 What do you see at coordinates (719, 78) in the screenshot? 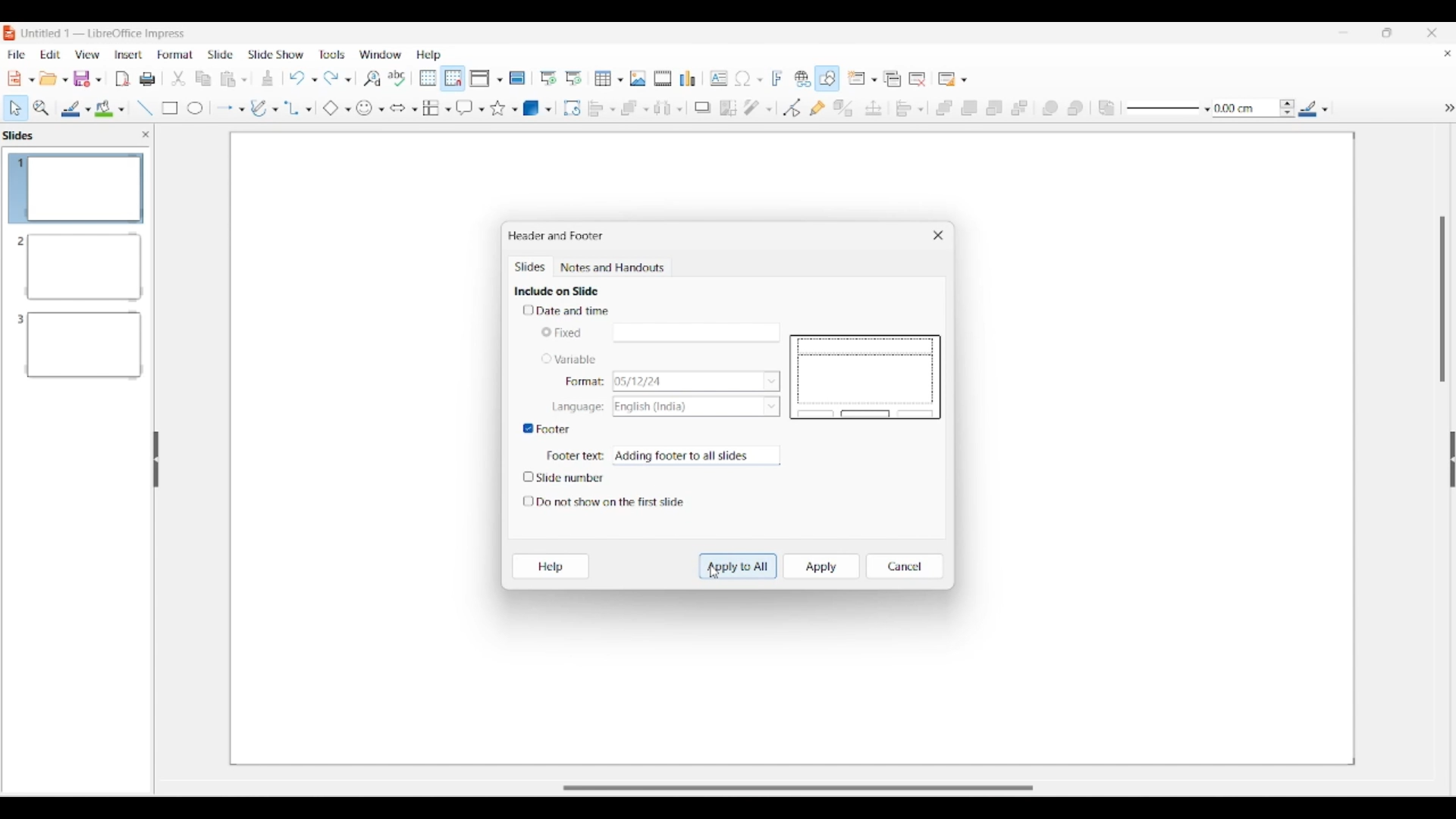
I see `Insert textbox` at bounding box center [719, 78].